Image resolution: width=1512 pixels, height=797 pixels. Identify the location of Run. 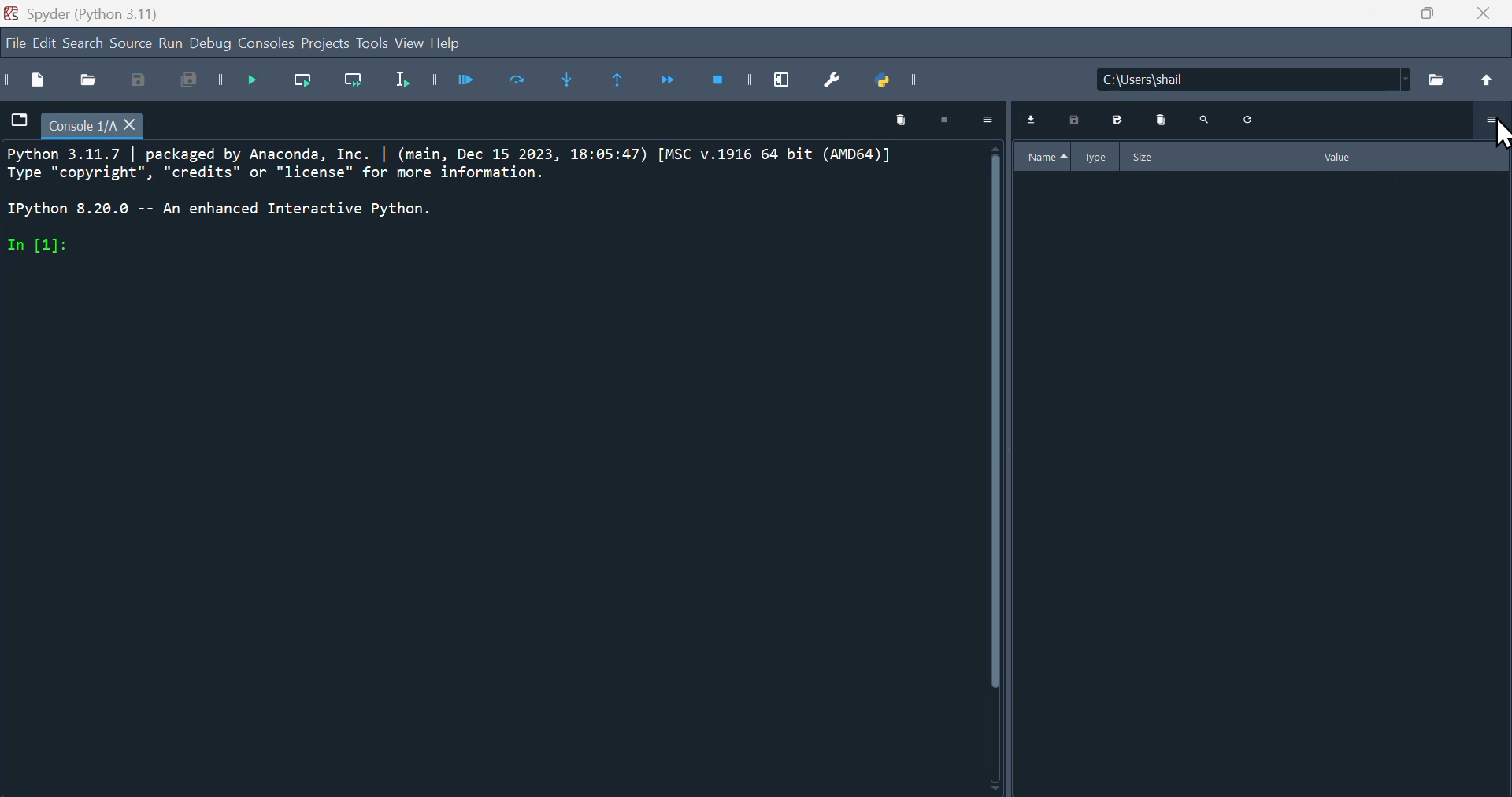
(173, 45).